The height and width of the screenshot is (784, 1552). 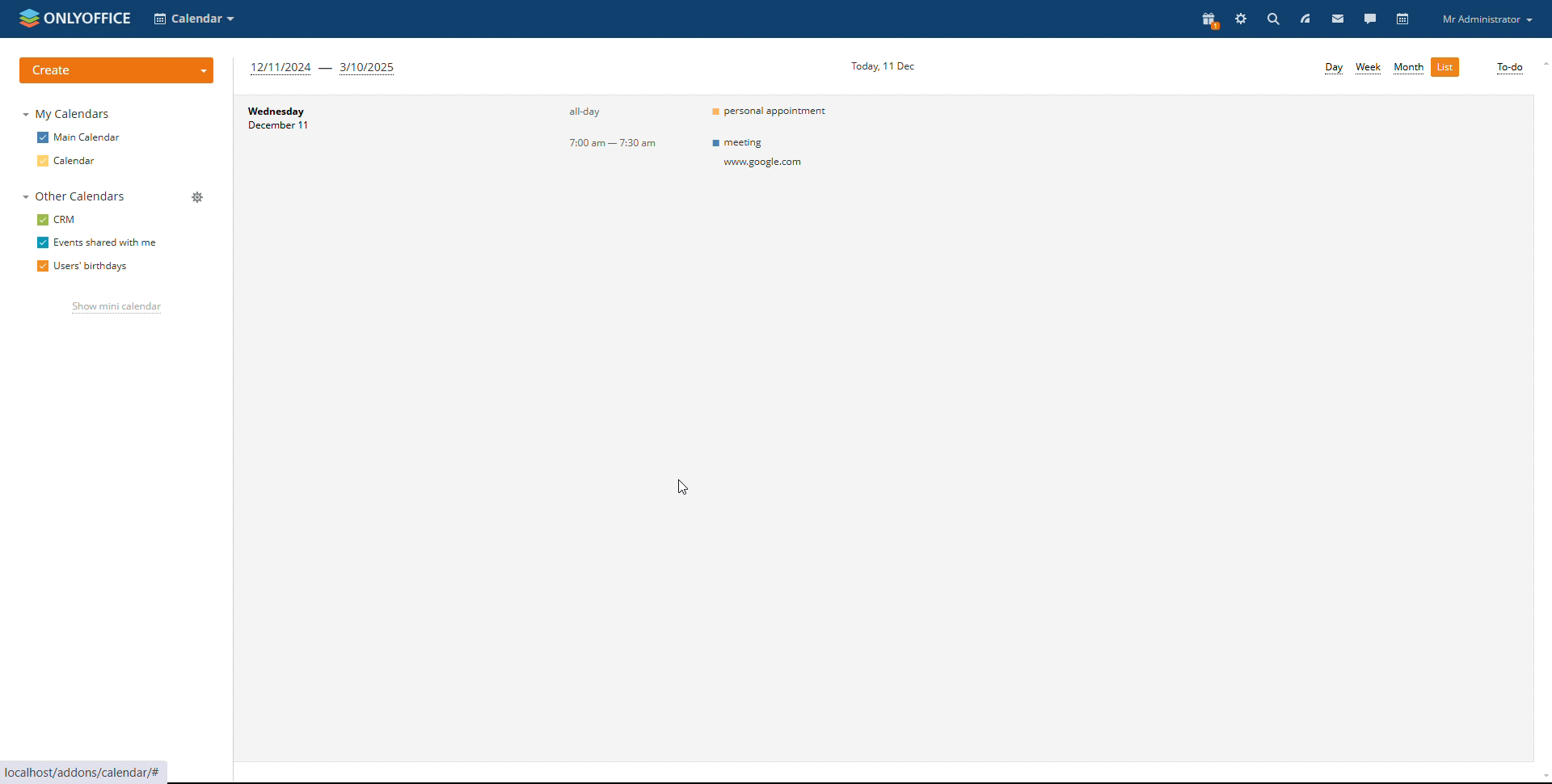 I want to click on logo, so click(x=72, y=19).